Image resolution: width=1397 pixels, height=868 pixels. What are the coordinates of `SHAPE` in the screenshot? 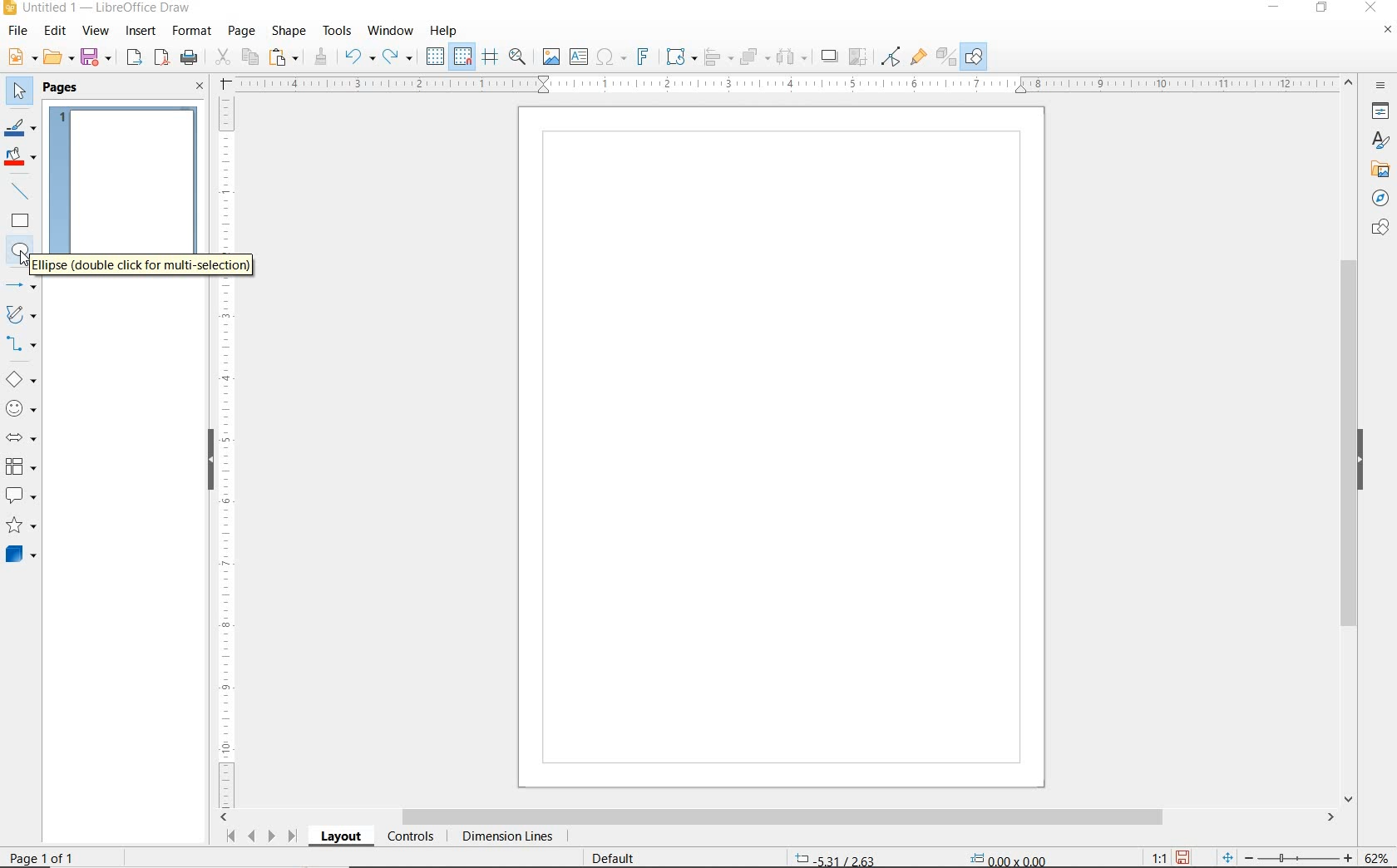 It's located at (290, 33).